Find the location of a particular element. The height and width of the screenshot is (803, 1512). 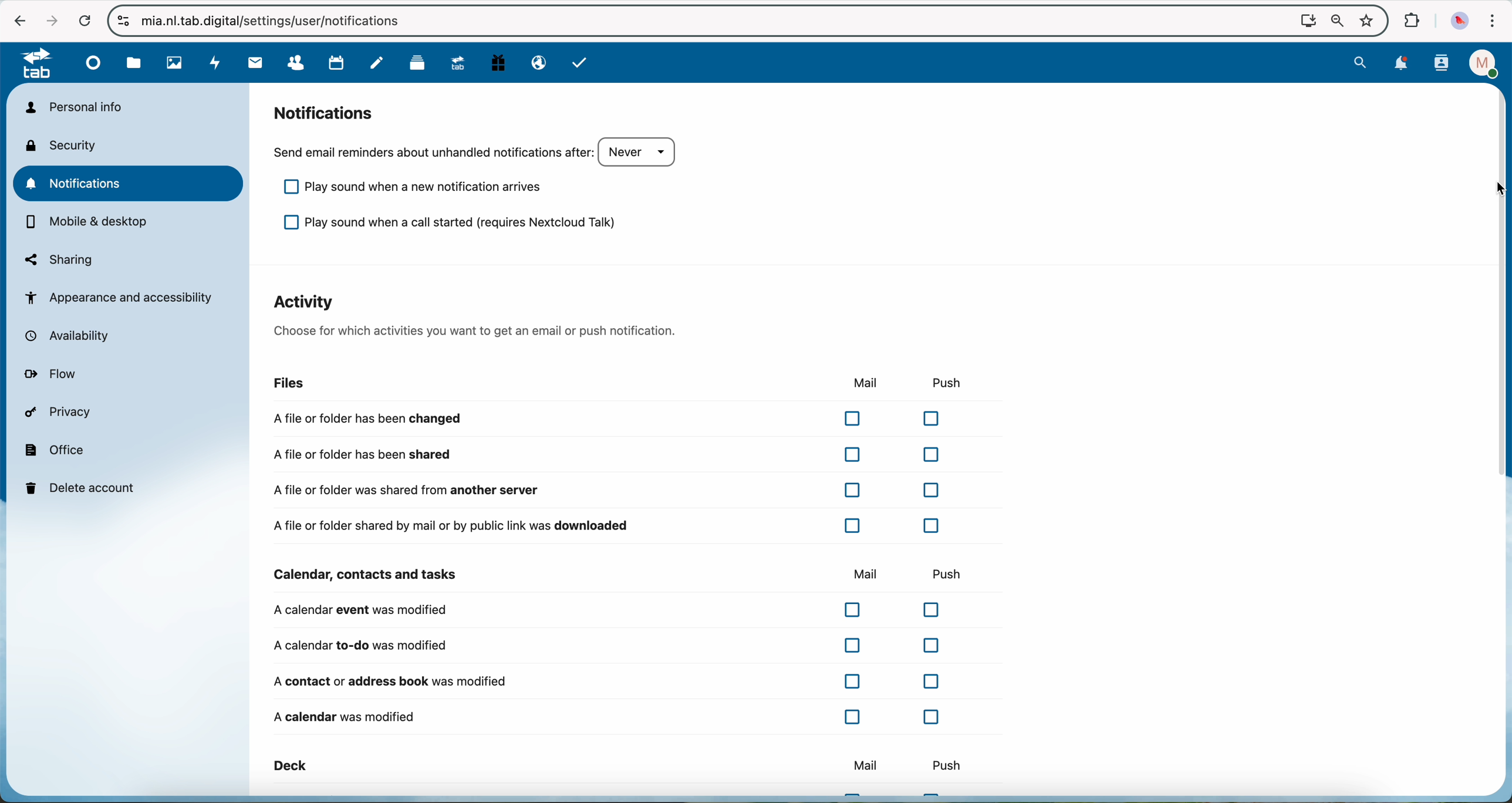

profile picture is located at coordinates (1460, 20).